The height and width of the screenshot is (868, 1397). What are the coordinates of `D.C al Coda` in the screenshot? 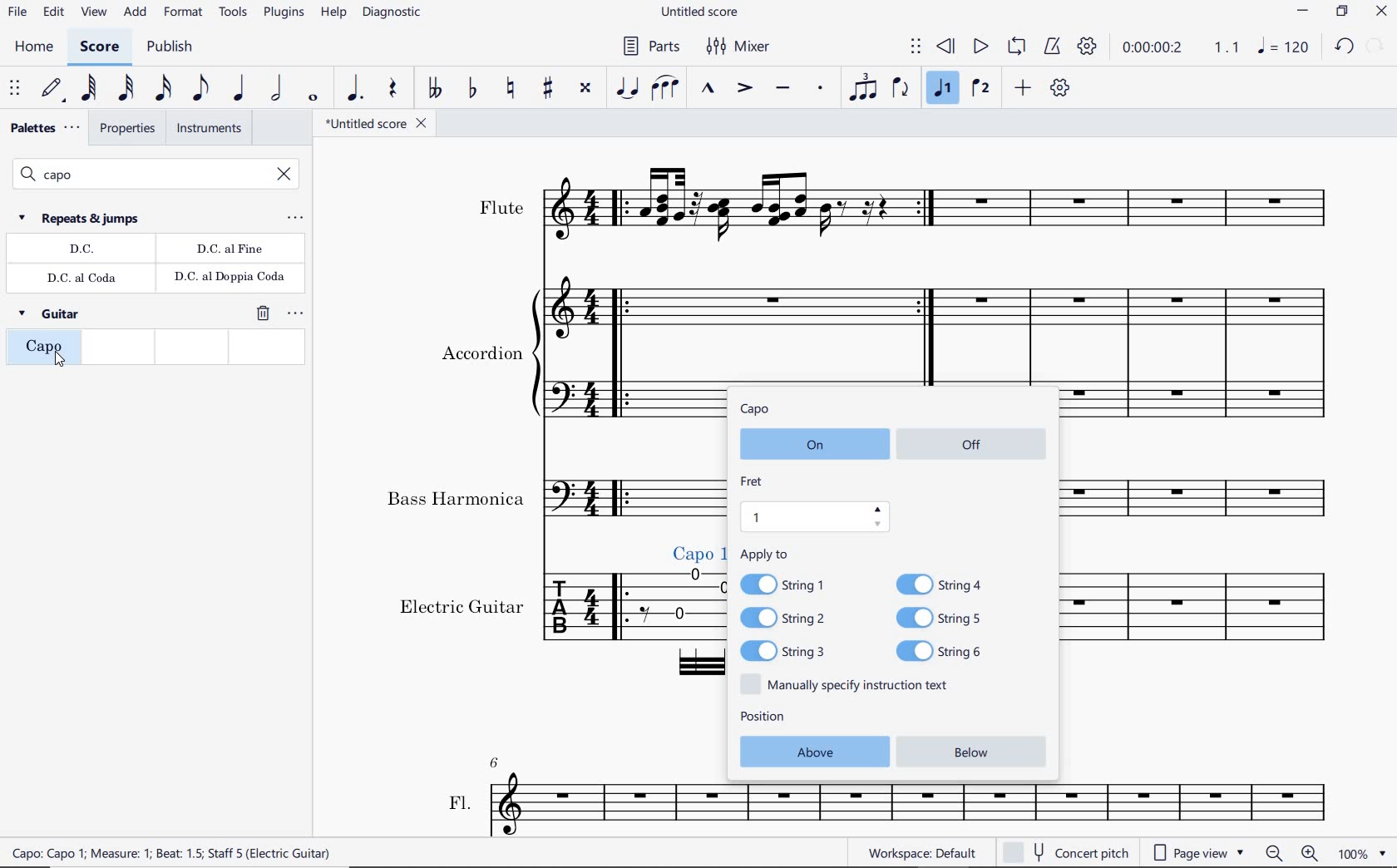 It's located at (85, 279).